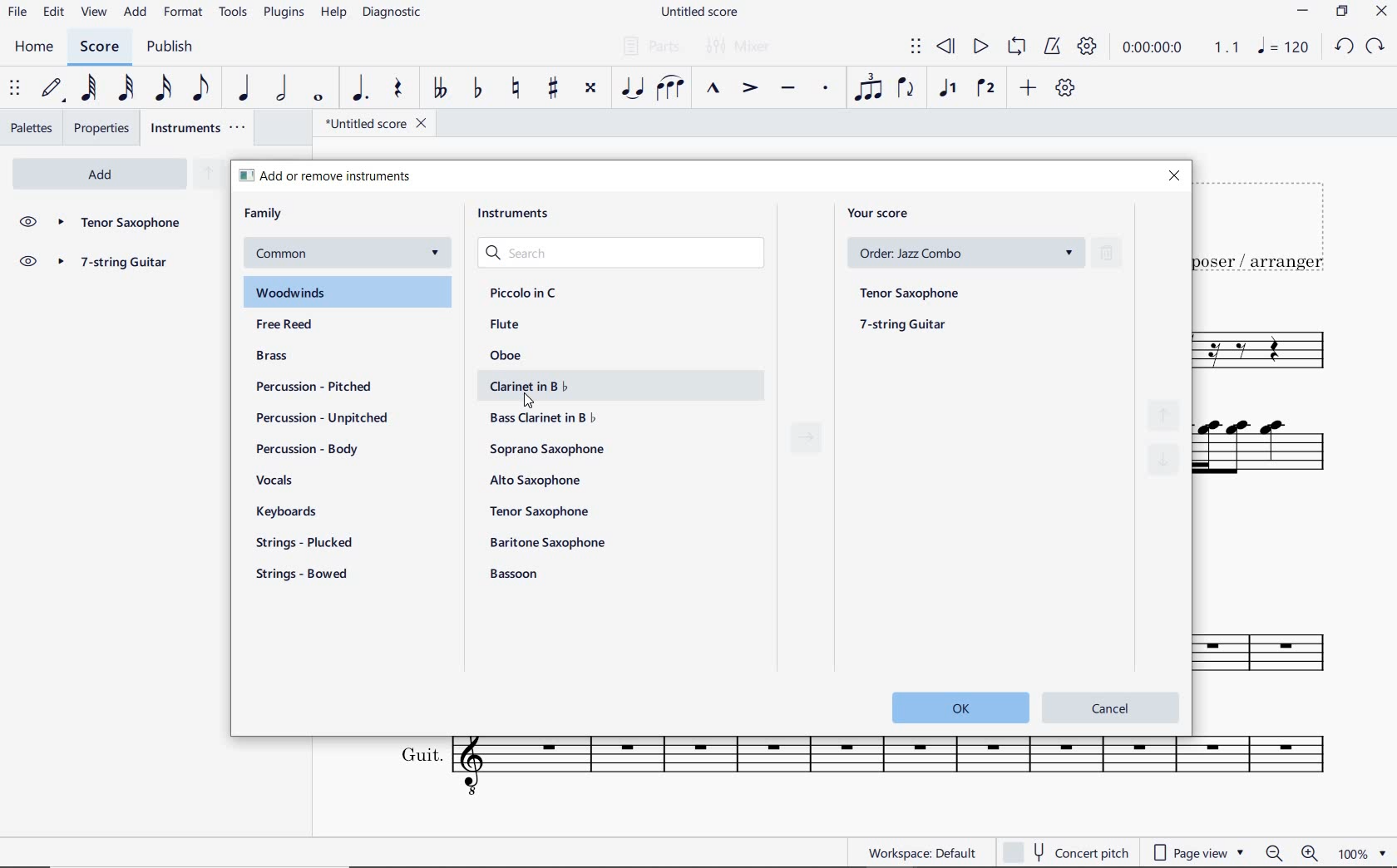 The height and width of the screenshot is (868, 1397). I want to click on FILE NAME, so click(370, 126).